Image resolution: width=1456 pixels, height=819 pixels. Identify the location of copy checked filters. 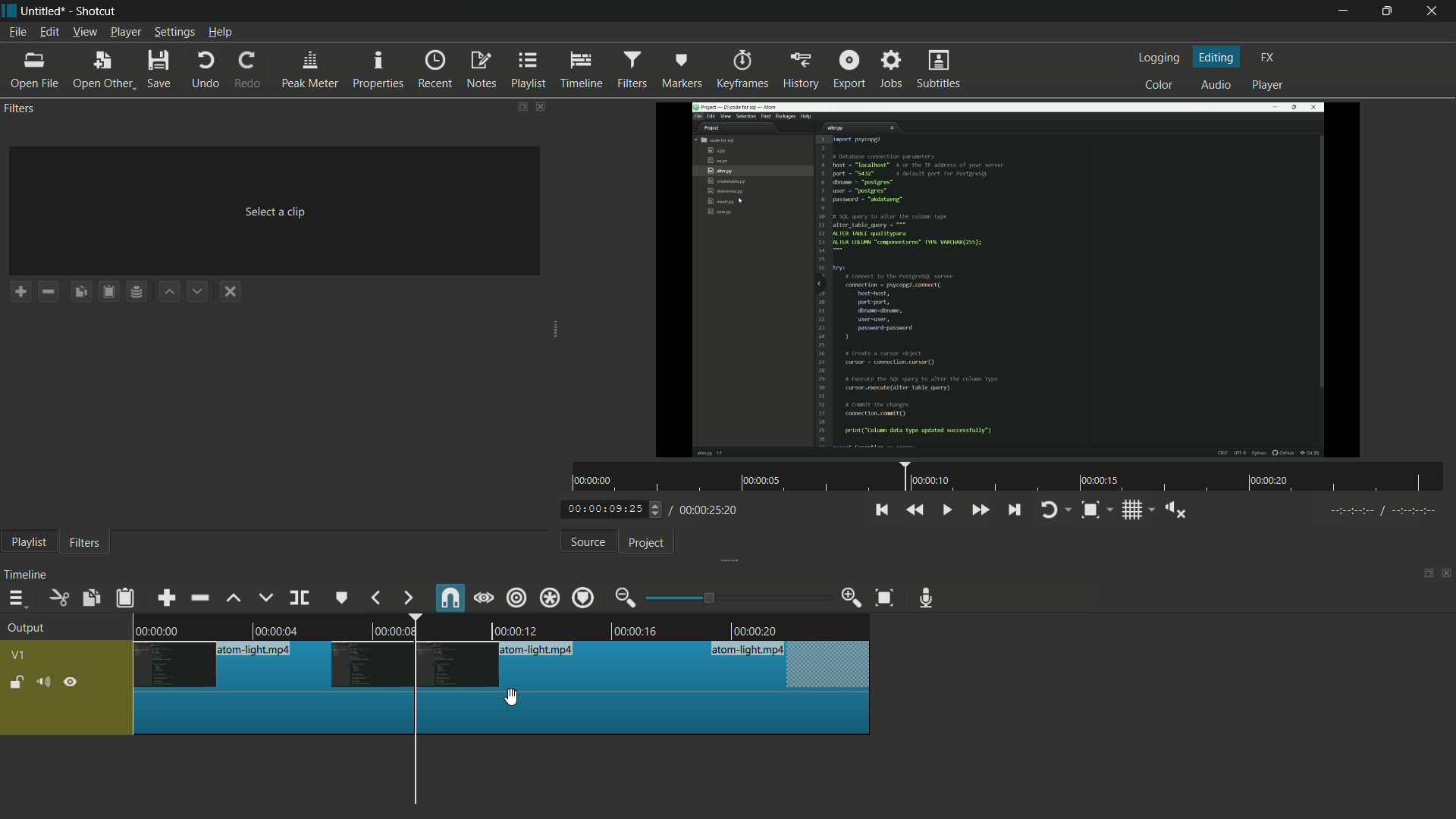
(84, 290).